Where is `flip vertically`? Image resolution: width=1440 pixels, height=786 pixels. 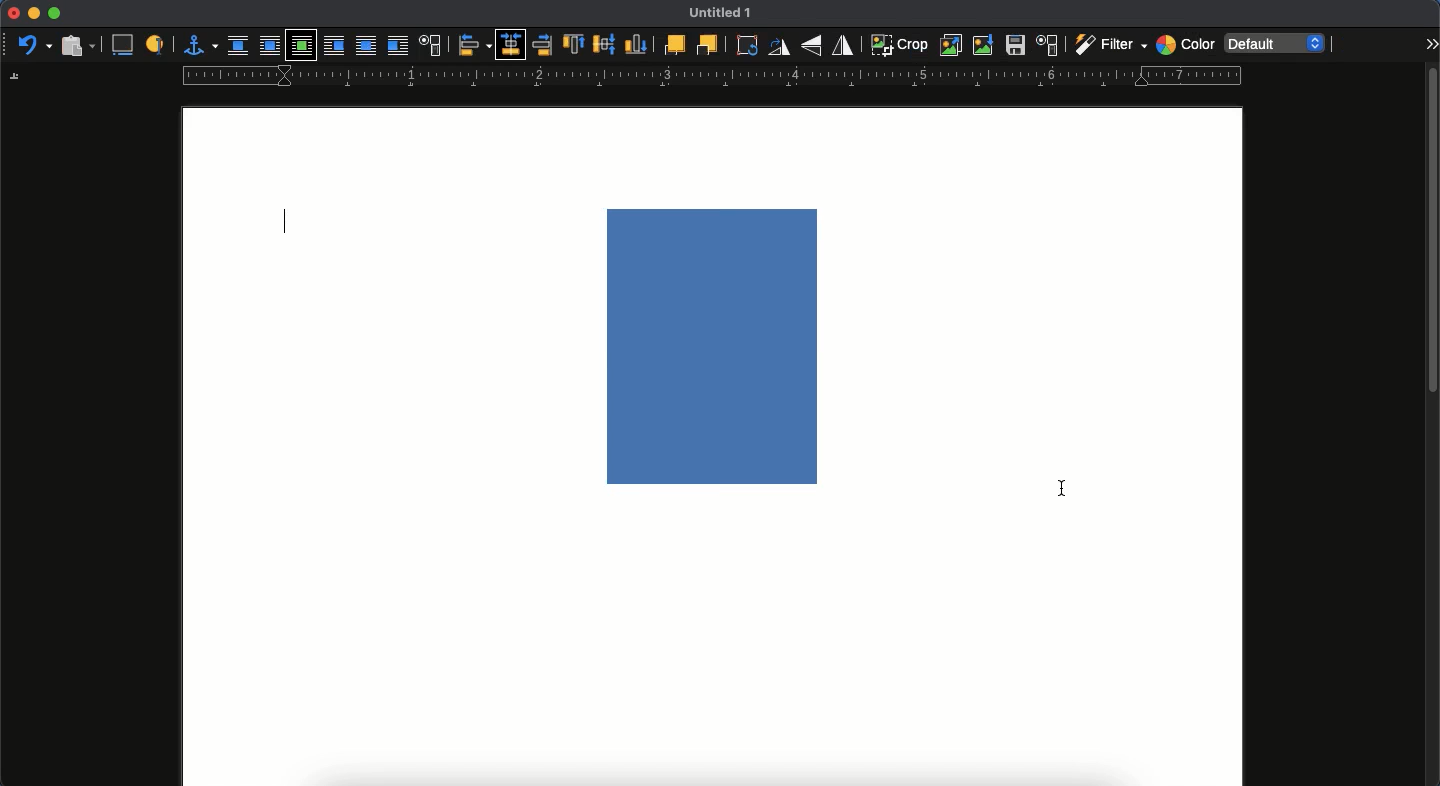
flip vertically is located at coordinates (813, 46).